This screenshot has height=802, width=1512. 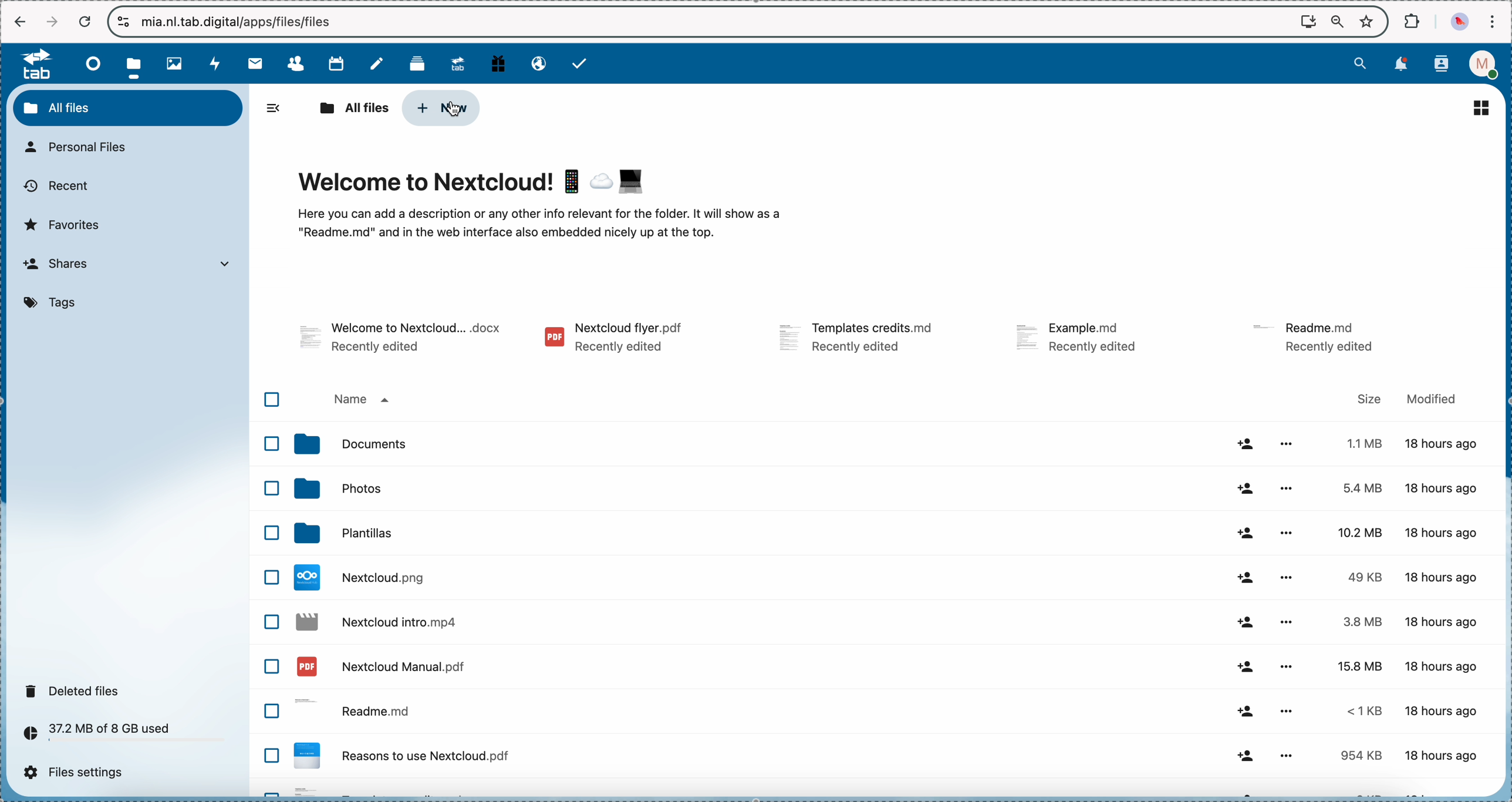 What do you see at coordinates (1285, 621) in the screenshot?
I see `more options` at bounding box center [1285, 621].